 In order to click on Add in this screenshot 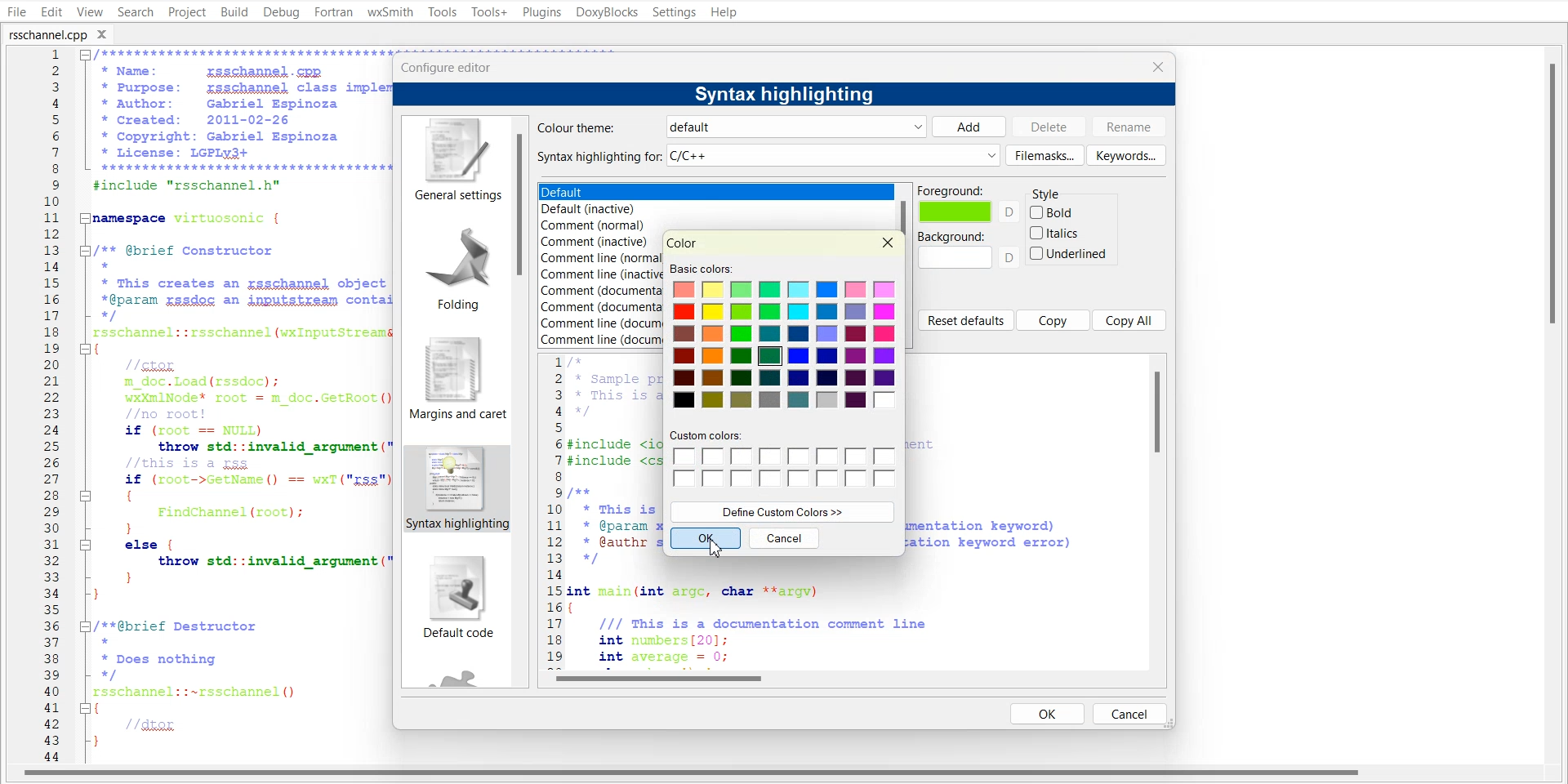, I will do `click(969, 127)`.